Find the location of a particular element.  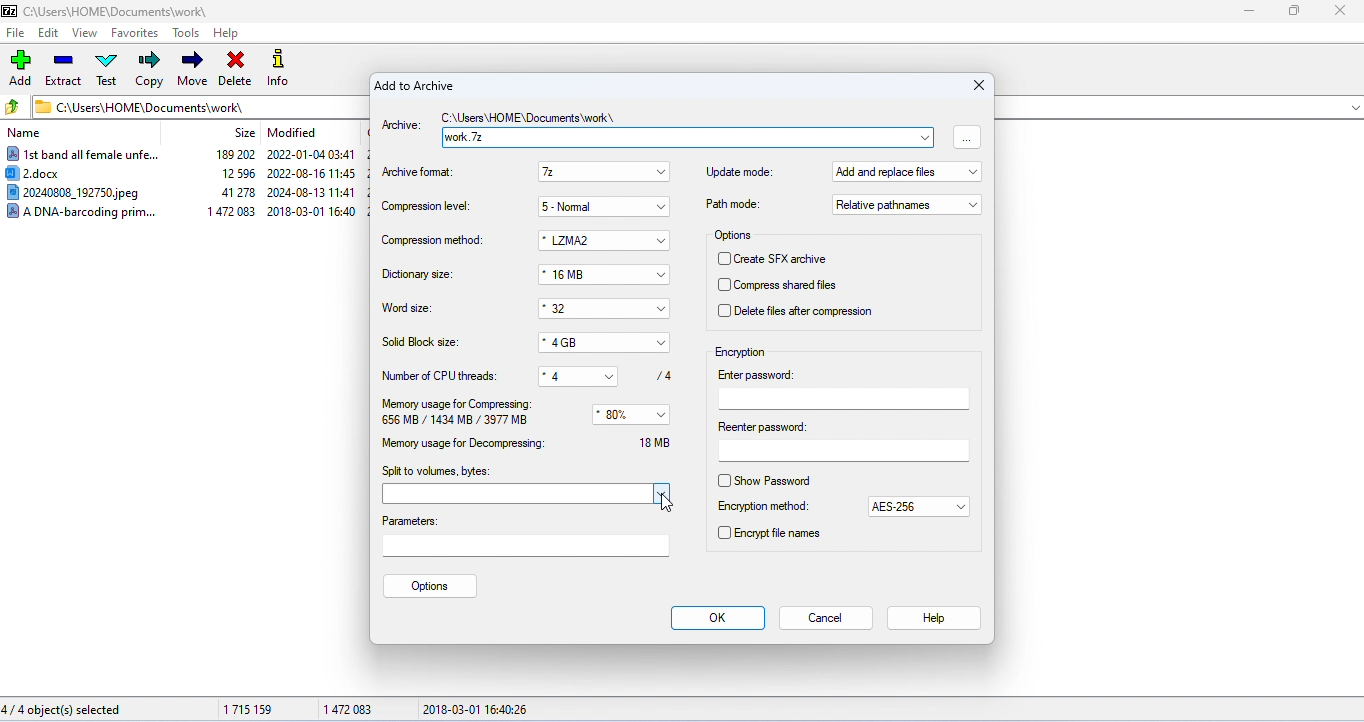

drop down is located at coordinates (662, 309).